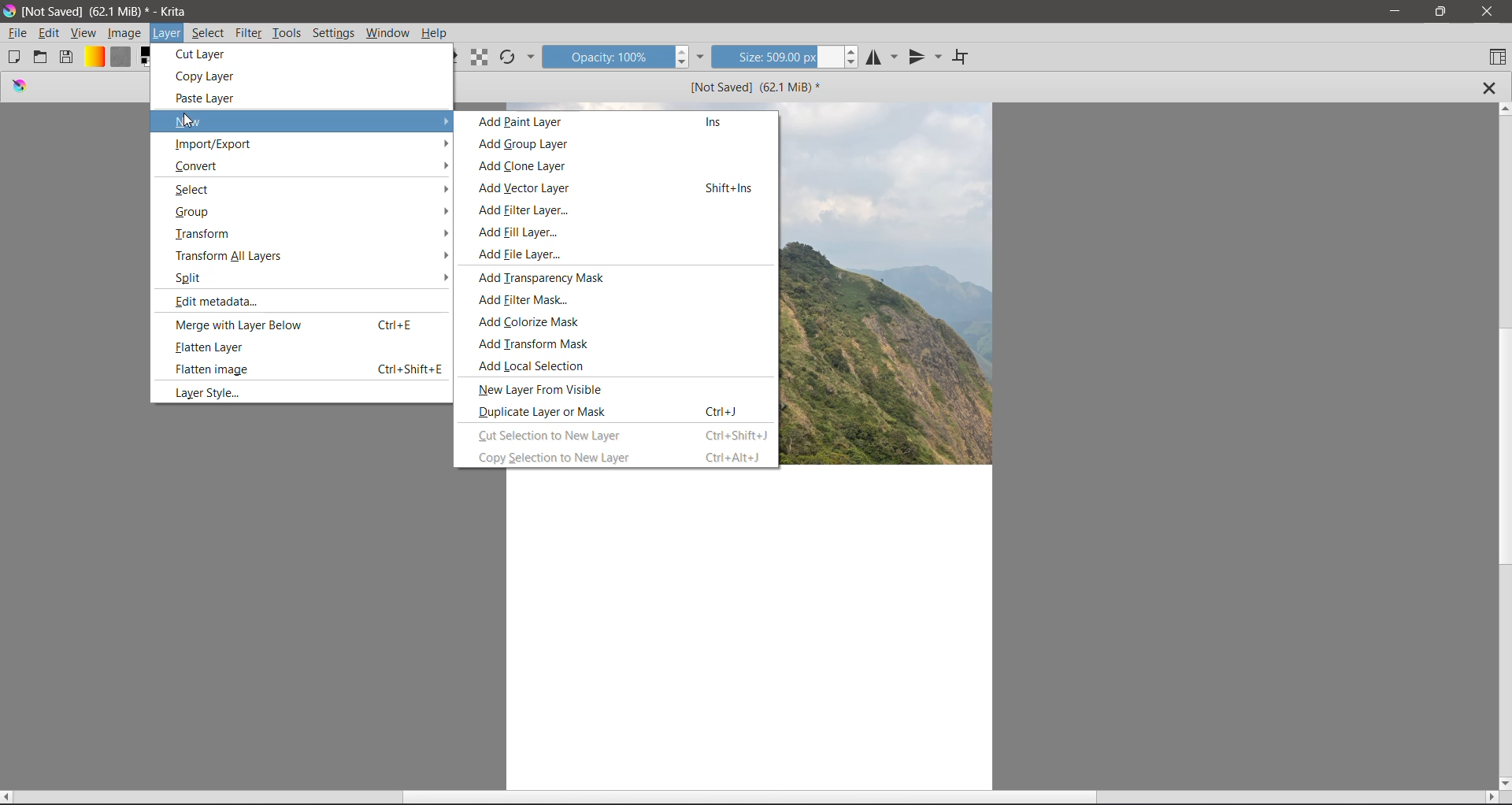  I want to click on Add Local Selection, so click(538, 365).